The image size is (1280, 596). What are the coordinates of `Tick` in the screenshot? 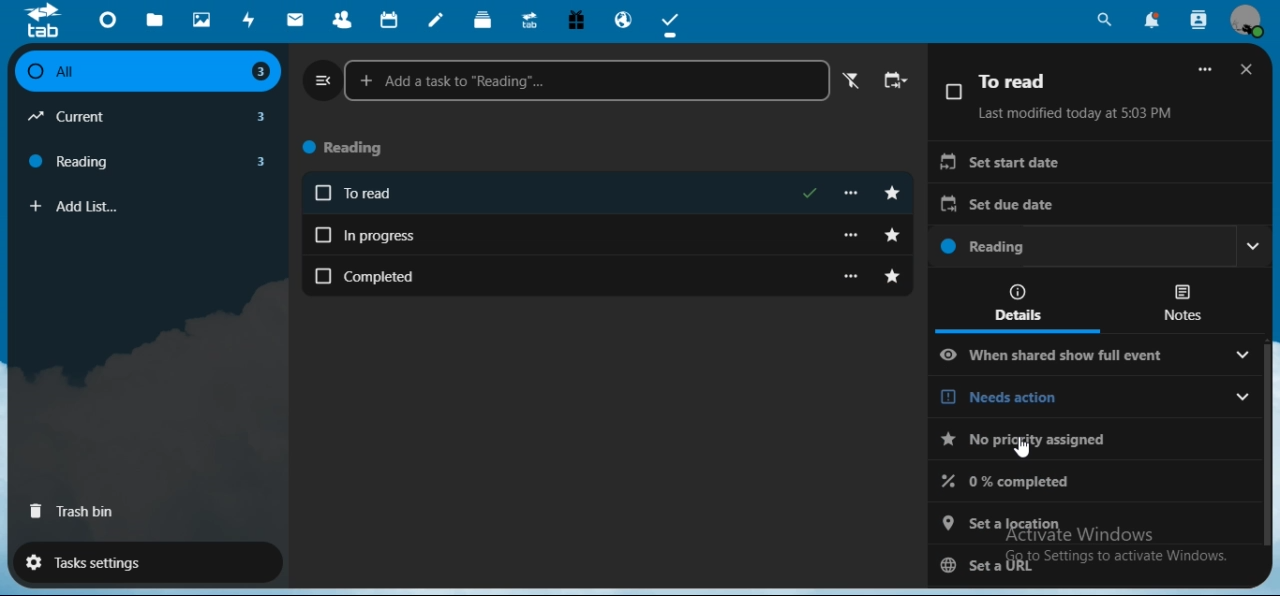 It's located at (811, 192).